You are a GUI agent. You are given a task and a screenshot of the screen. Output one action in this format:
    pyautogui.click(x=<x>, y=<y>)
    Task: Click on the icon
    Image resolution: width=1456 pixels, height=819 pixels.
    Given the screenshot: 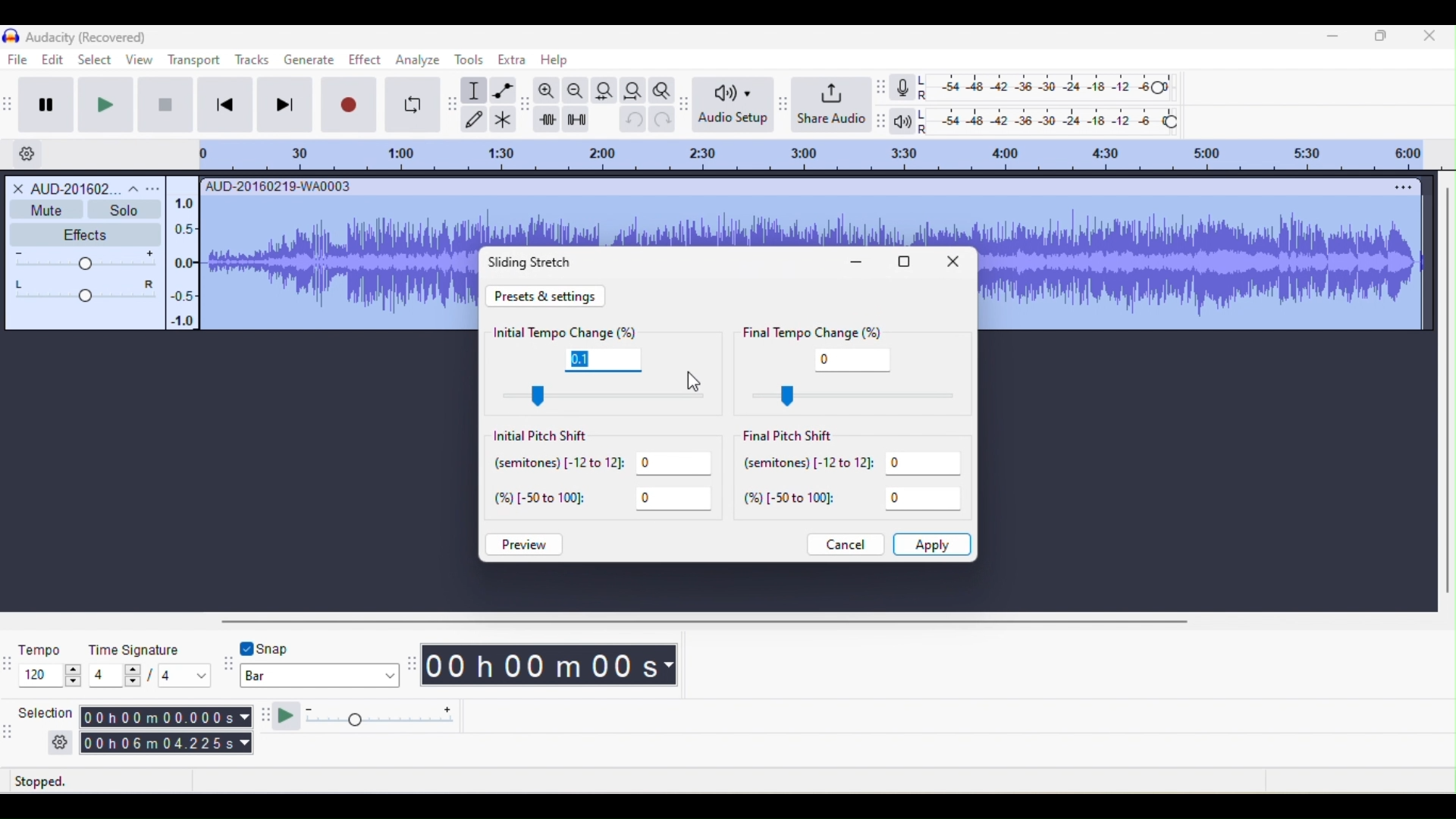 What is the action you would take?
    pyautogui.click(x=10, y=37)
    